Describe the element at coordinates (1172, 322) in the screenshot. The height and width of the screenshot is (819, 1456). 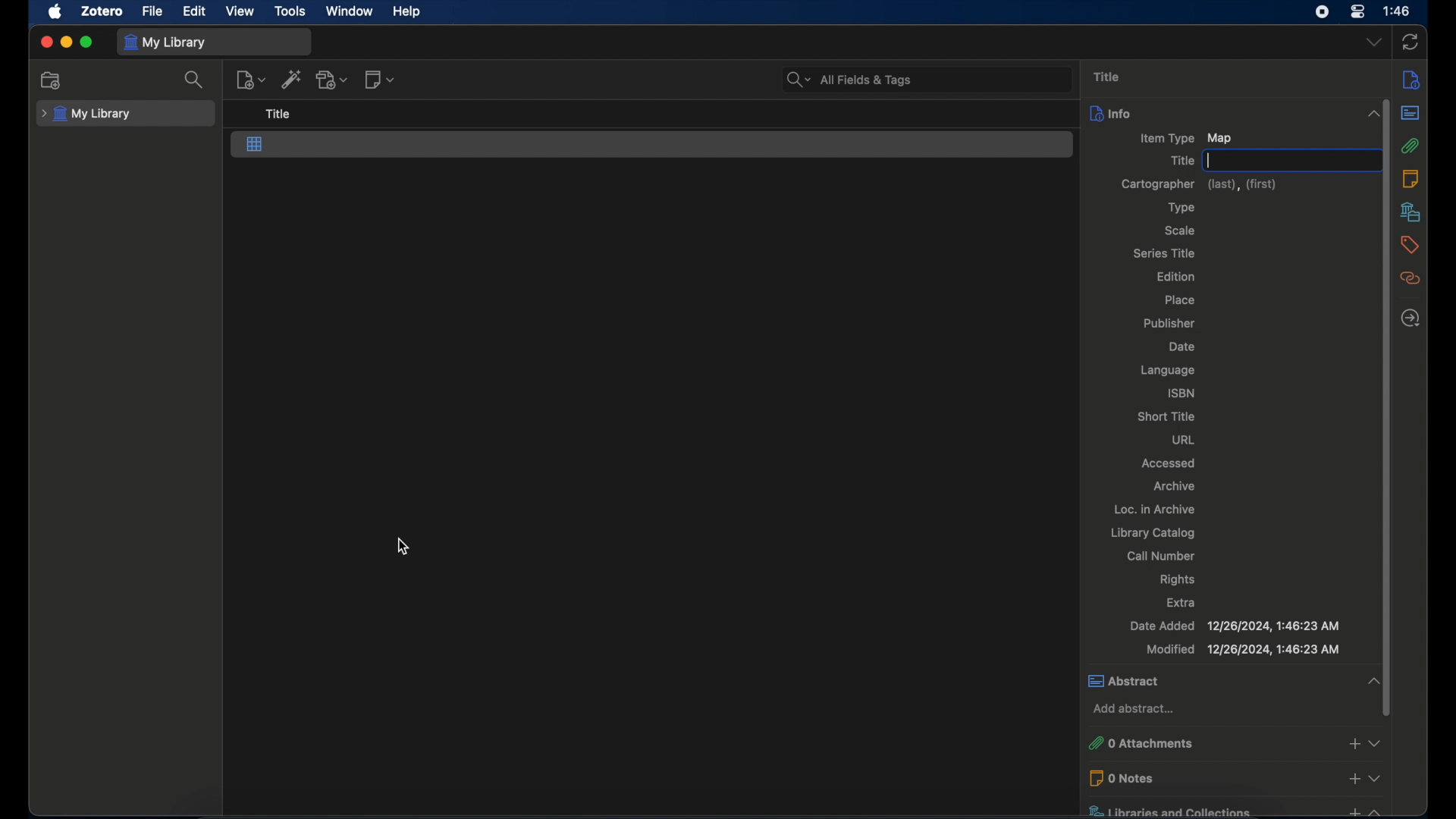
I see `publisher` at that location.